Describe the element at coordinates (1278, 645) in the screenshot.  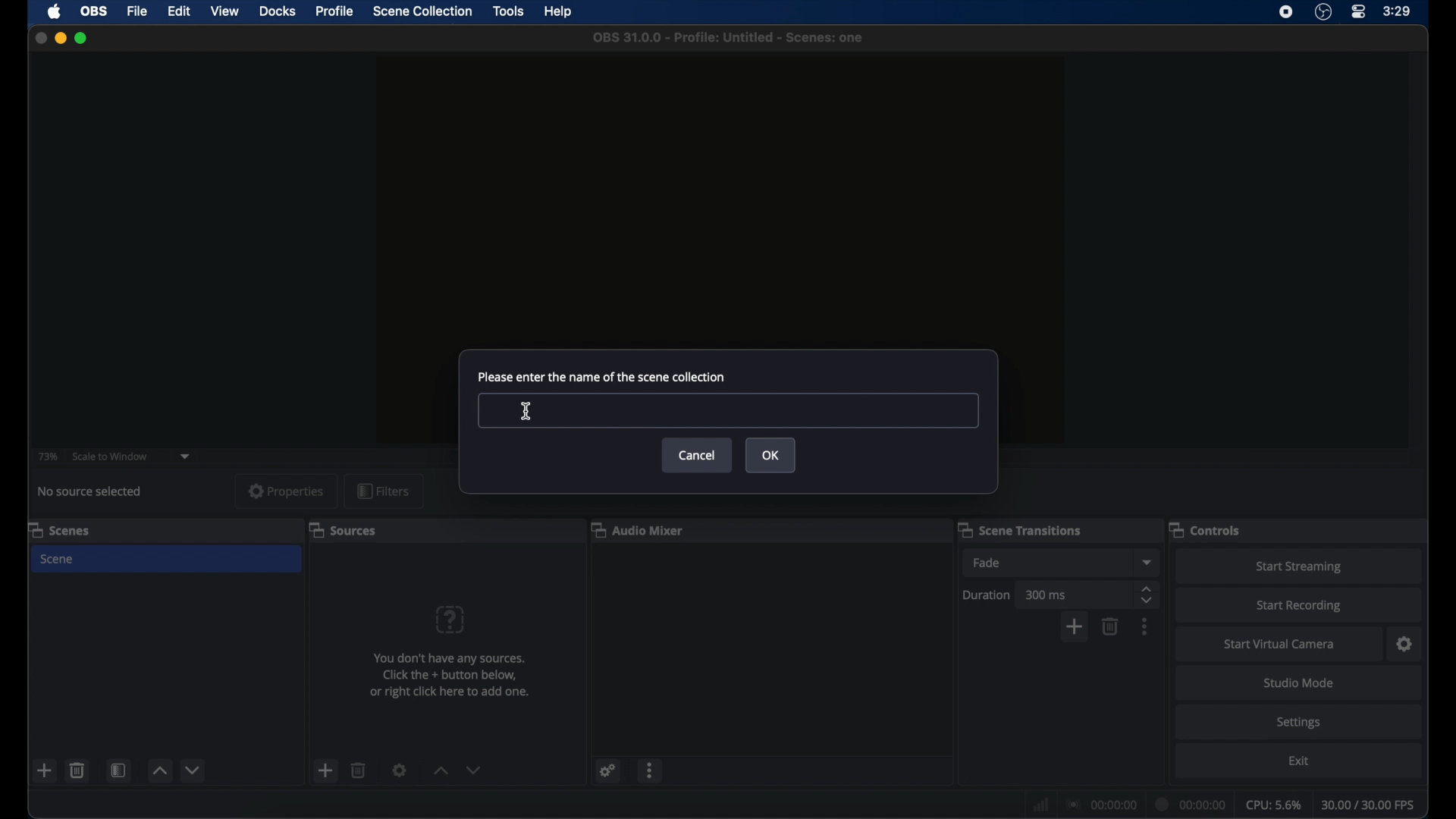
I see `start virtual camera` at that location.